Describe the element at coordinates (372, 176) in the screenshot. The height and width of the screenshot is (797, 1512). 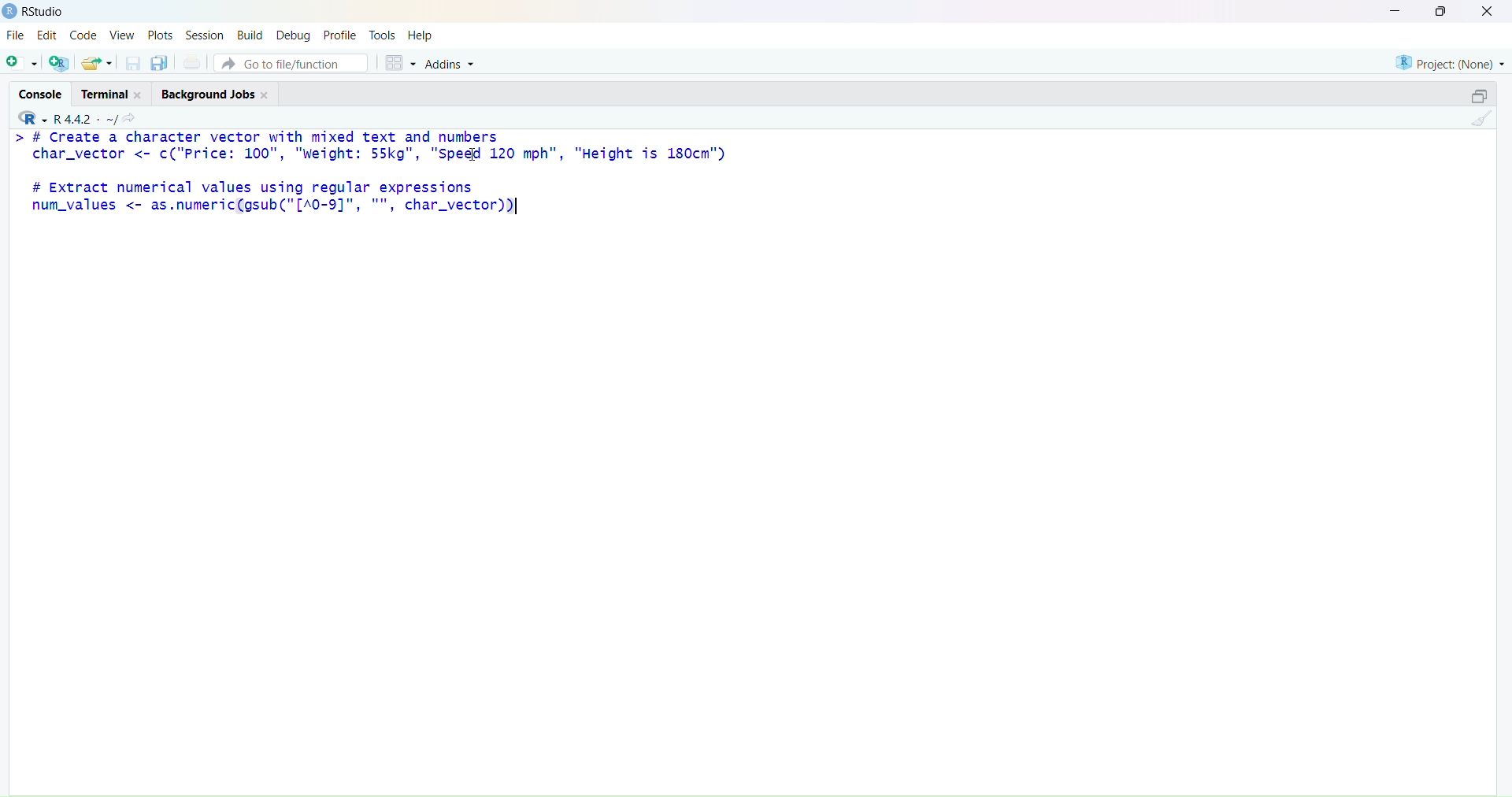
I see `> # Create a character vector with mixed text and numberschar_vector <- c("Price: 100", "weight: 55kg", "Speed 120 mph", "Height is 180cm")# Extract numerical values using regular expressionsnum_values <- as.numeric(gsub("[A0-9]", "", char_vector))` at that location.